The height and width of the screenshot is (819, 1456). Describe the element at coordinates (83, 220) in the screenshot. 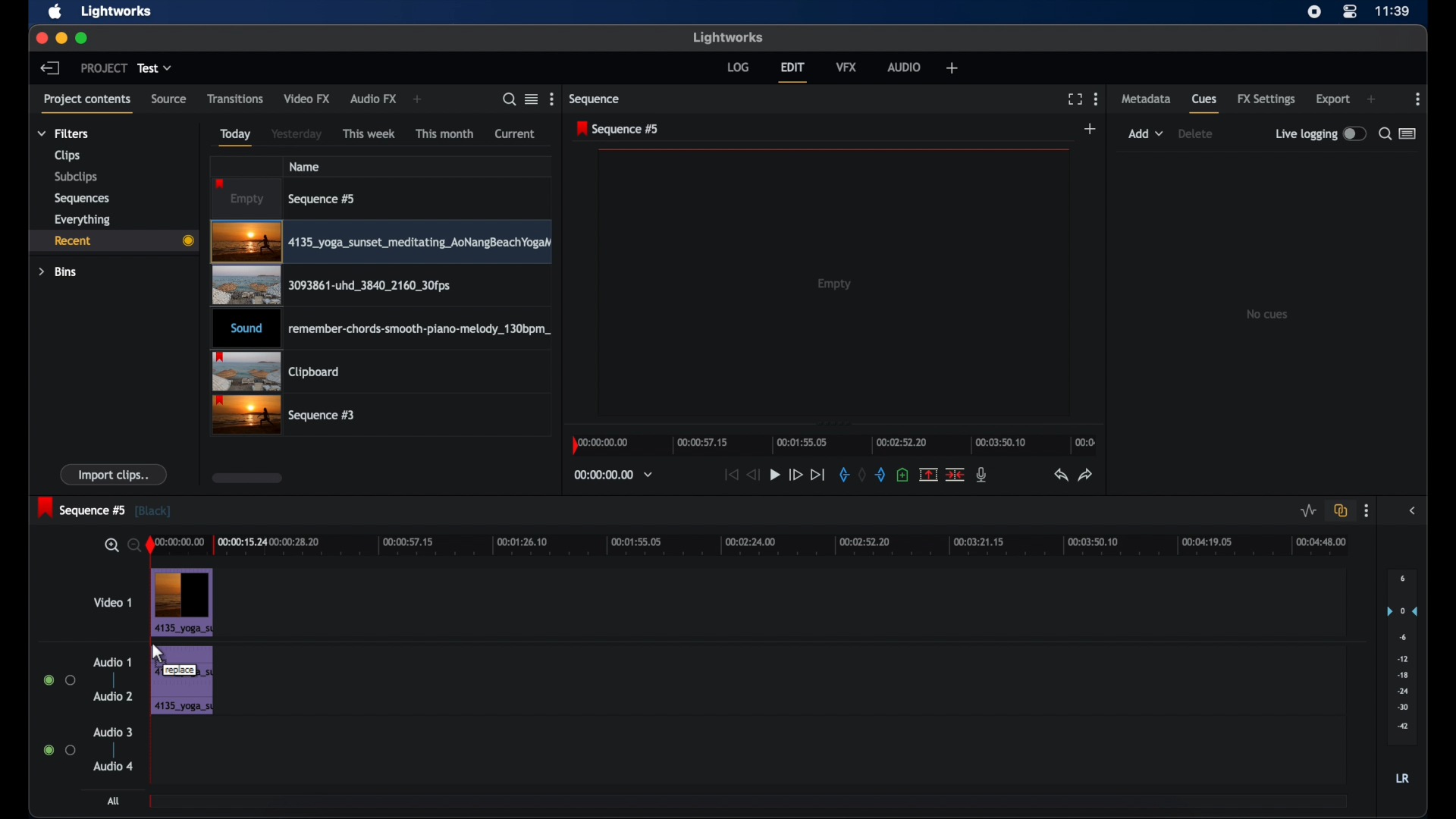

I see `everything` at that location.